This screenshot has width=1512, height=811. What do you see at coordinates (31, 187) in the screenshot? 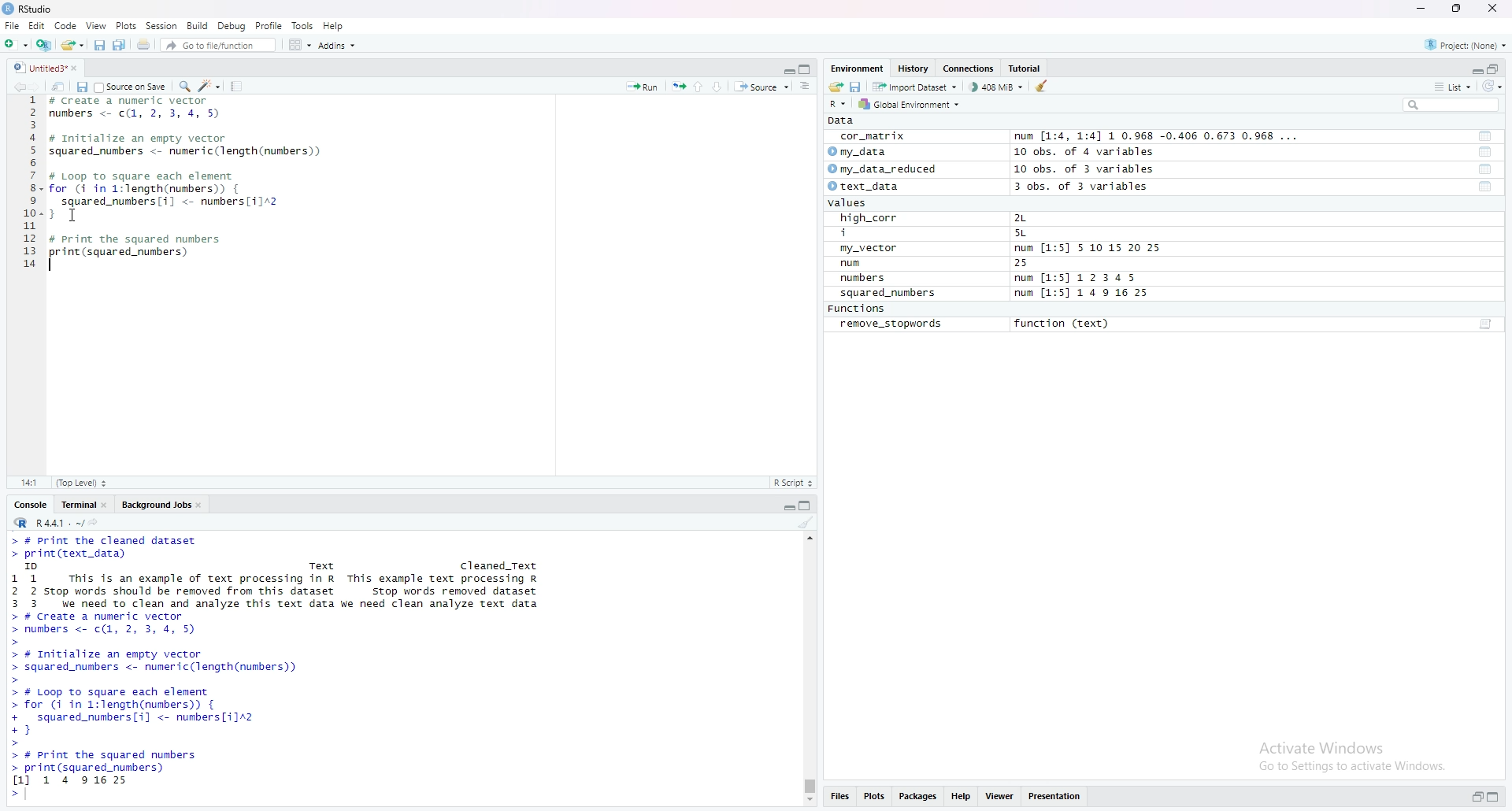
I see `line number` at bounding box center [31, 187].